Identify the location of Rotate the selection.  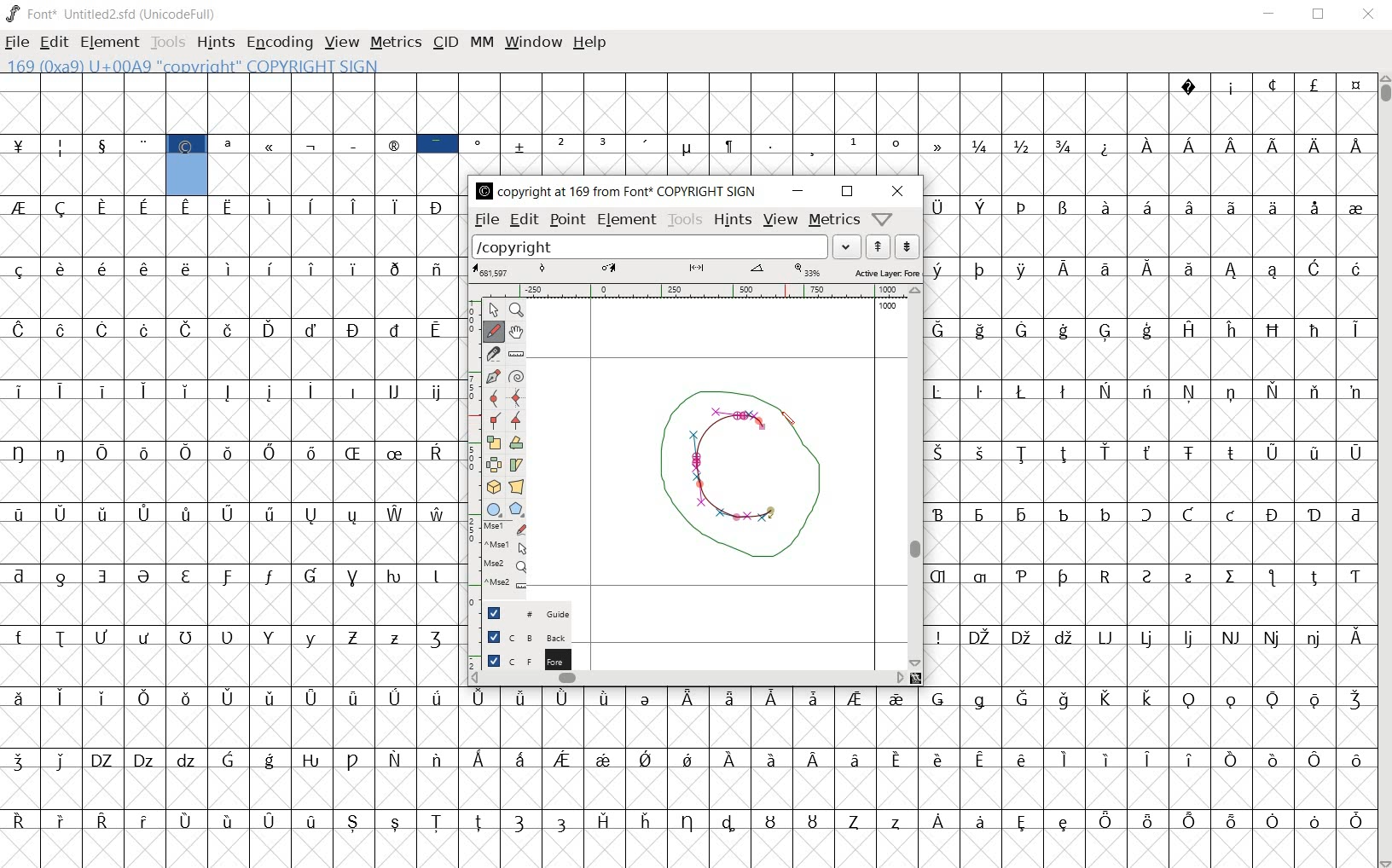
(517, 444).